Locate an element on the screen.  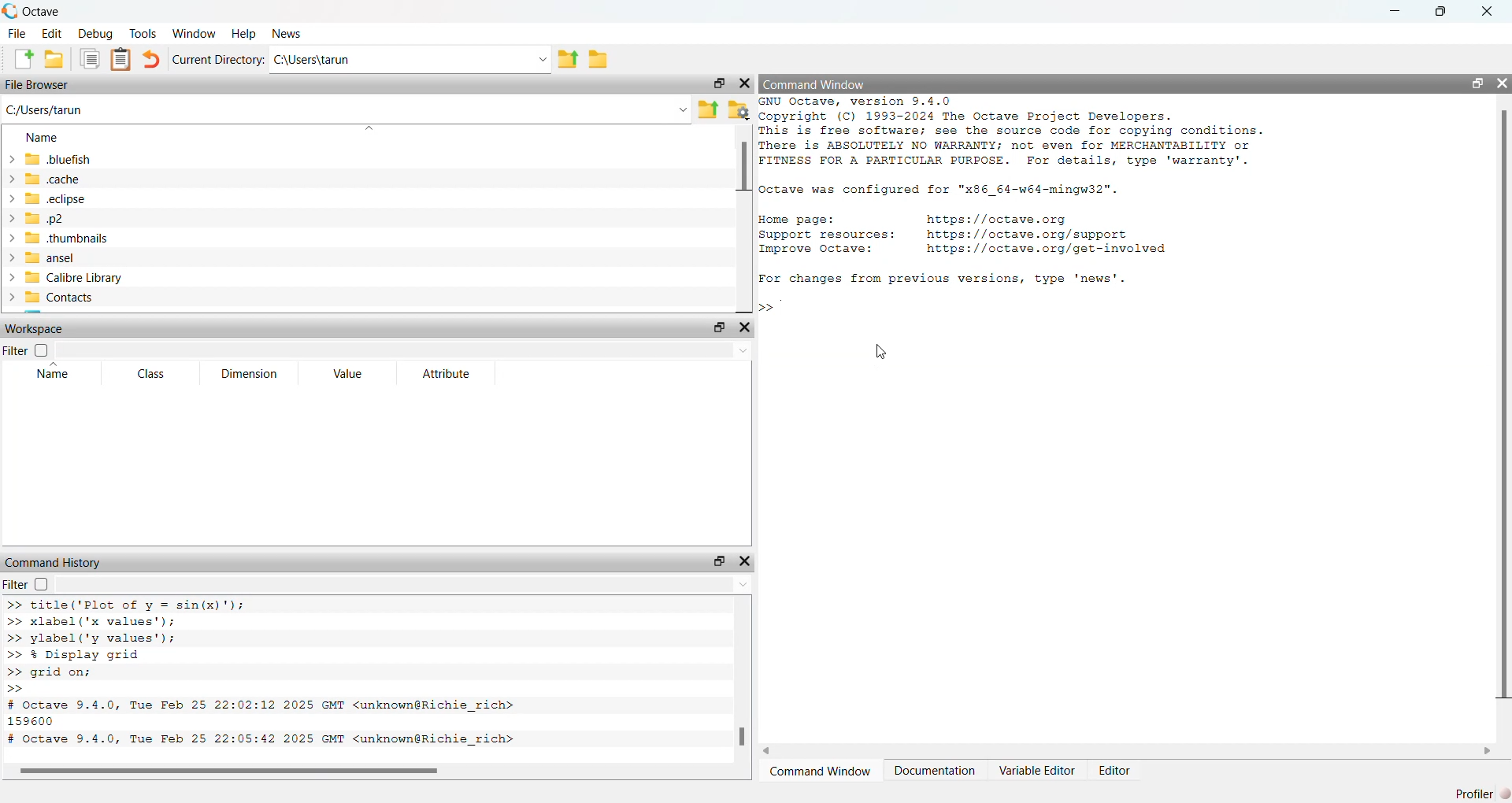
scroll bar is located at coordinates (741, 170).